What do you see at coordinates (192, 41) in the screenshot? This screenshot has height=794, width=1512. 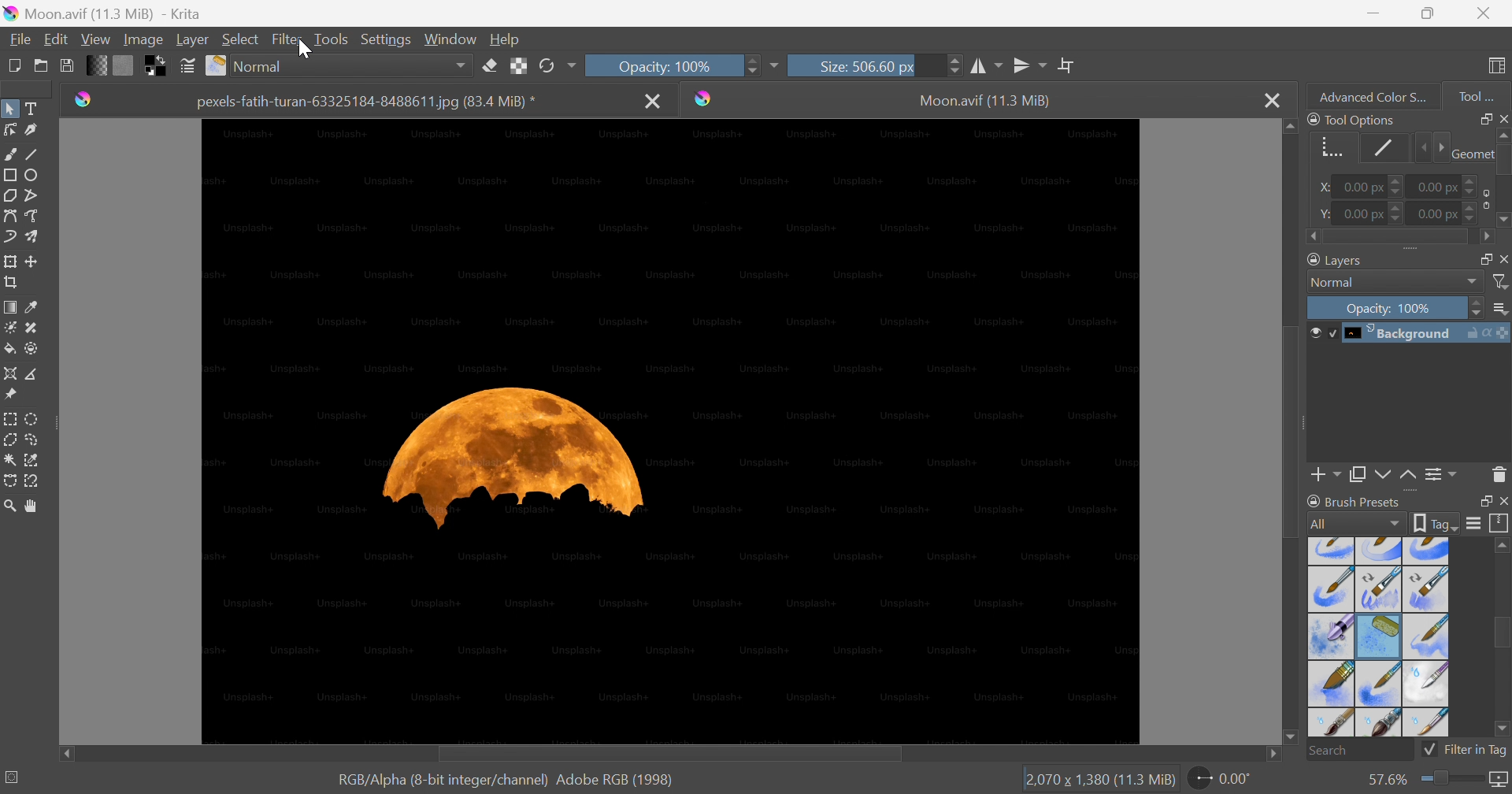 I see `Layer` at bounding box center [192, 41].